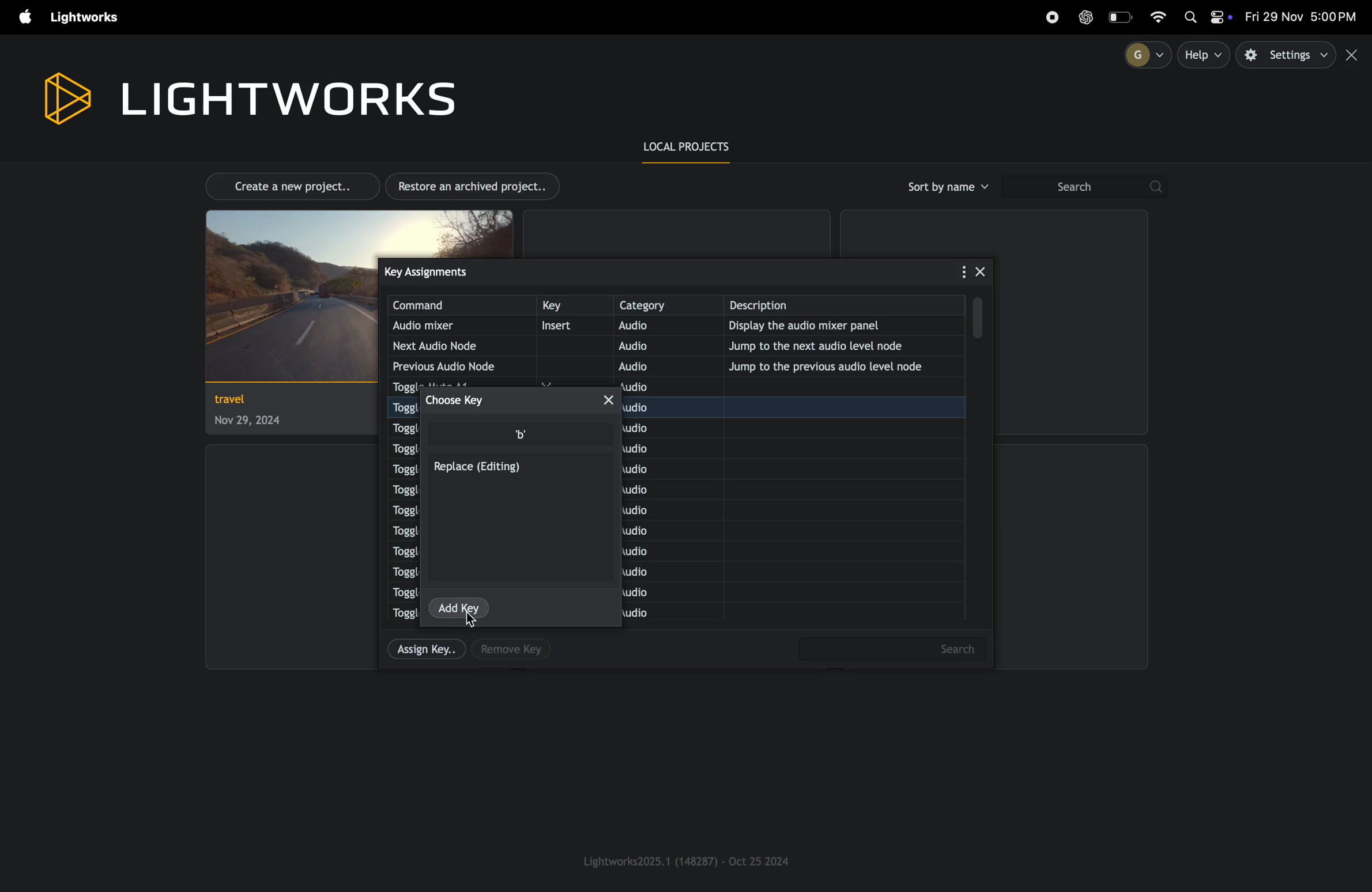 This screenshot has height=892, width=1372. Describe the element at coordinates (886, 651) in the screenshot. I see `` at that location.